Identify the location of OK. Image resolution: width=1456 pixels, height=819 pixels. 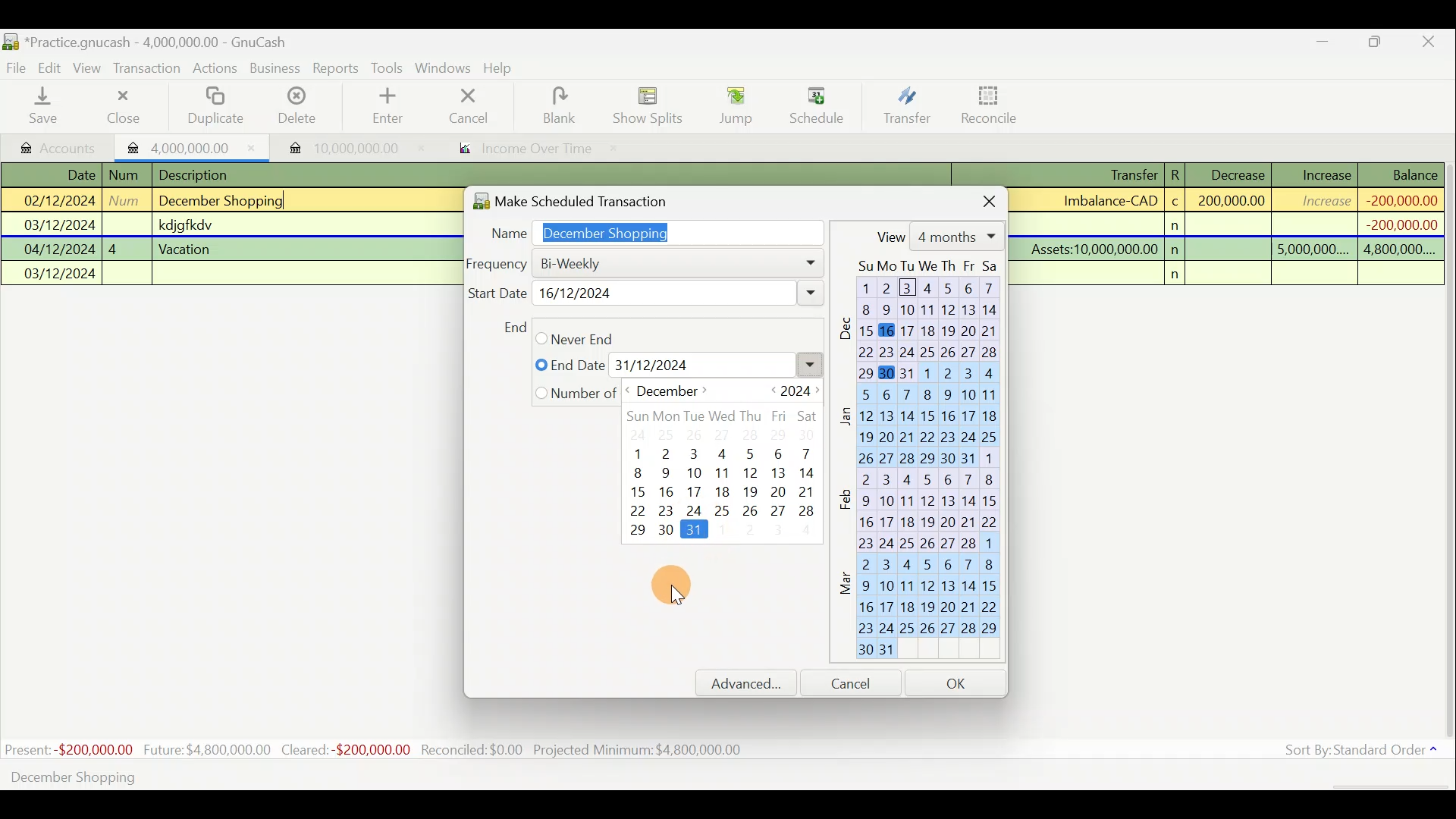
(959, 682).